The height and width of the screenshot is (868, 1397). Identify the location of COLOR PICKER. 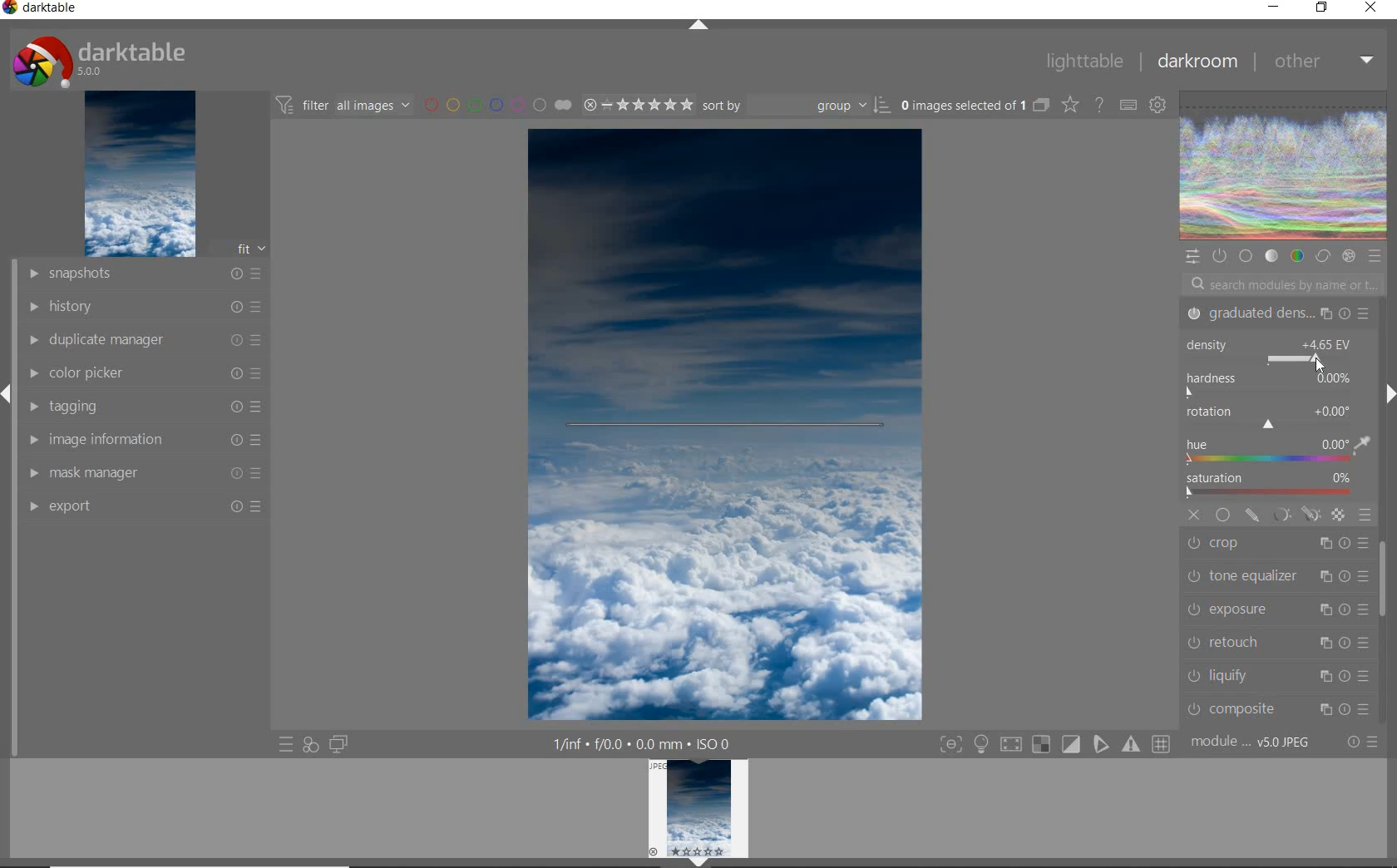
(146, 374).